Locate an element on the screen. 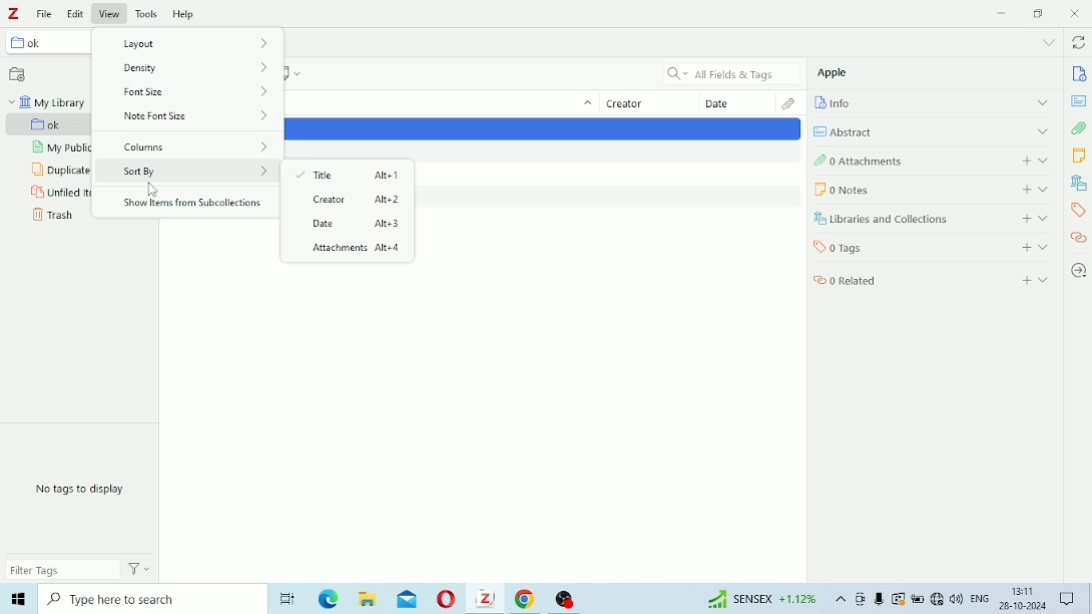  Creator Alt + 2 is located at coordinates (348, 200).